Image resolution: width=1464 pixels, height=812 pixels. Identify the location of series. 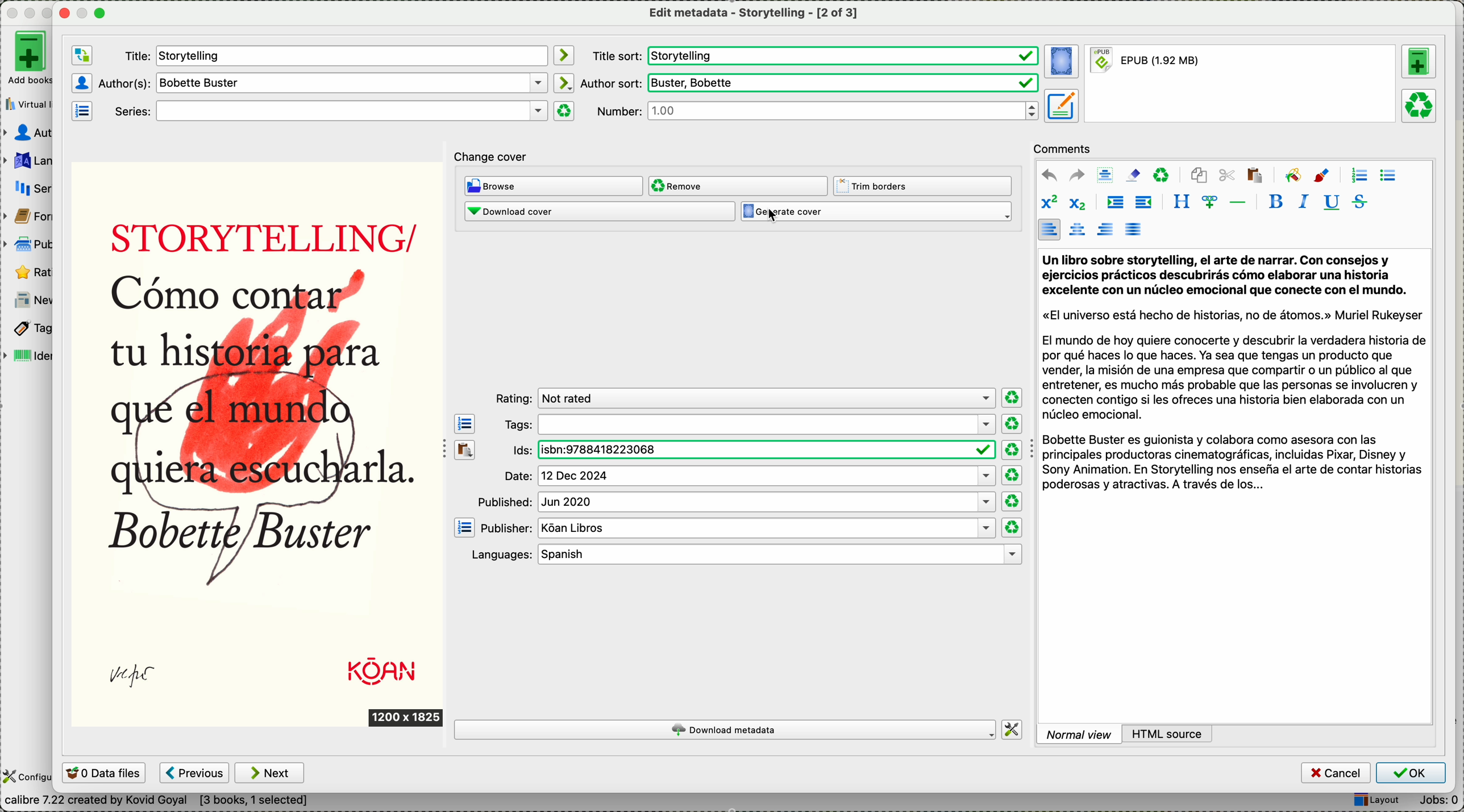
(36, 185).